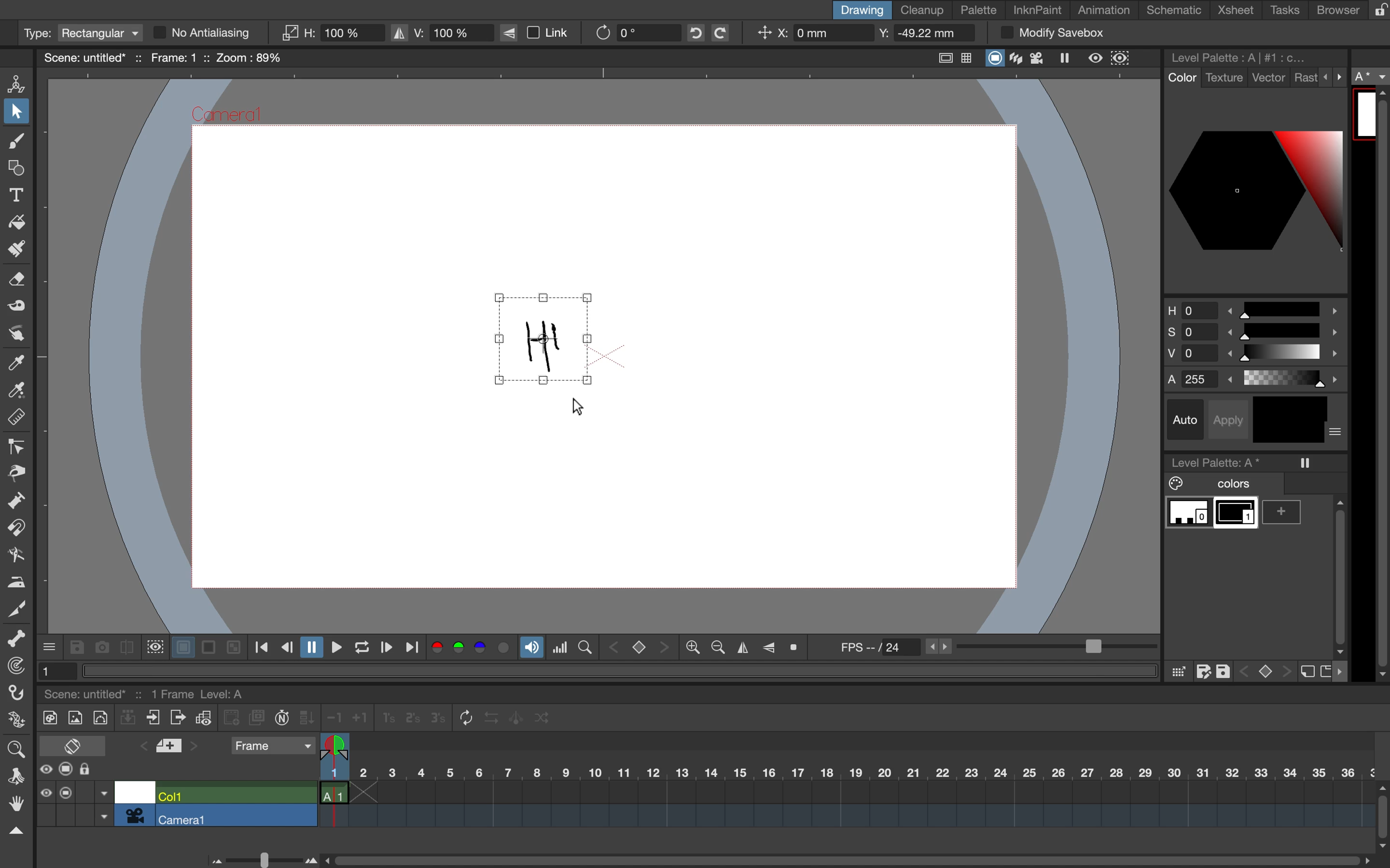  Describe the element at coordinates (1037, 9) in the screenshot. I see `inknpaint` at that location.